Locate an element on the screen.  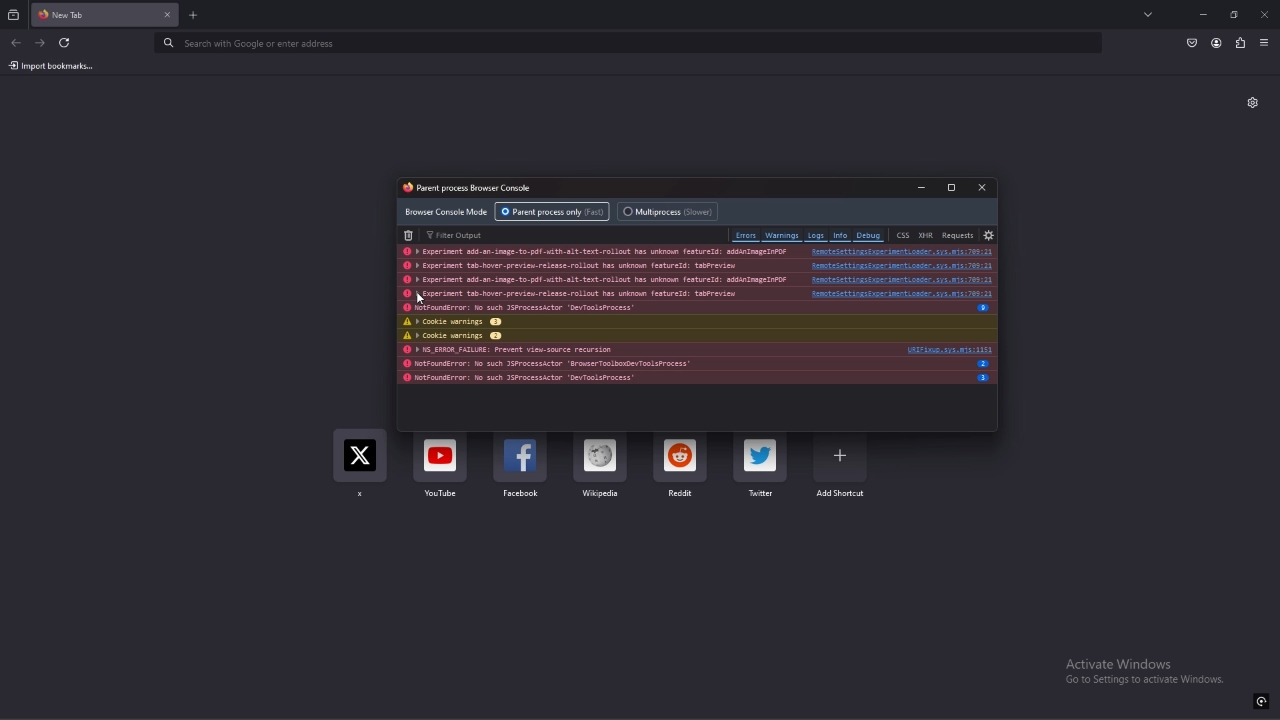
resize is located at coordinates (1234, 14).